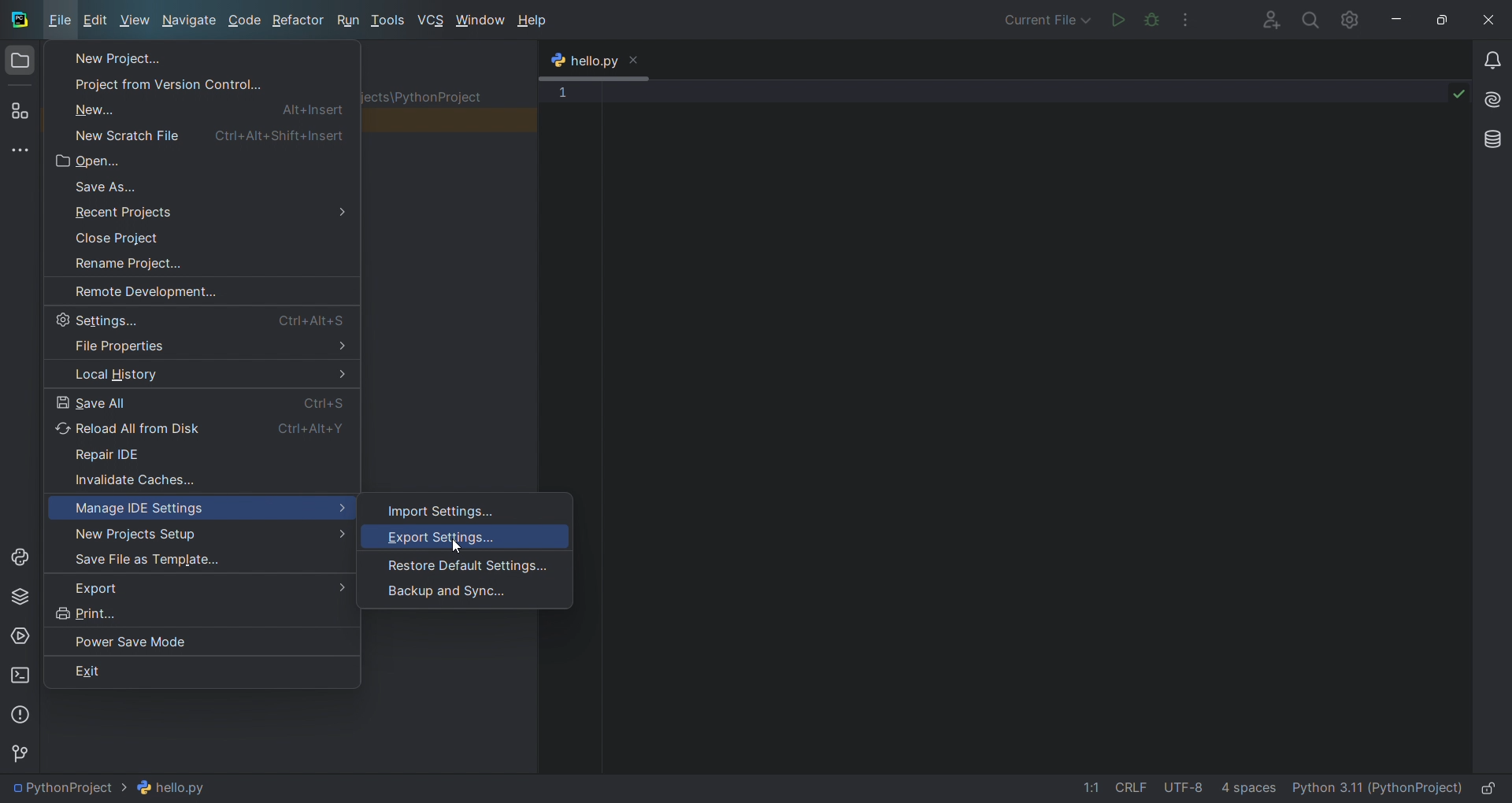 This screenshot has width=1512, height=803. What do you see at coordinates (198, 612) in the screenshot?
I see `print` at bounding box center [198, 612].